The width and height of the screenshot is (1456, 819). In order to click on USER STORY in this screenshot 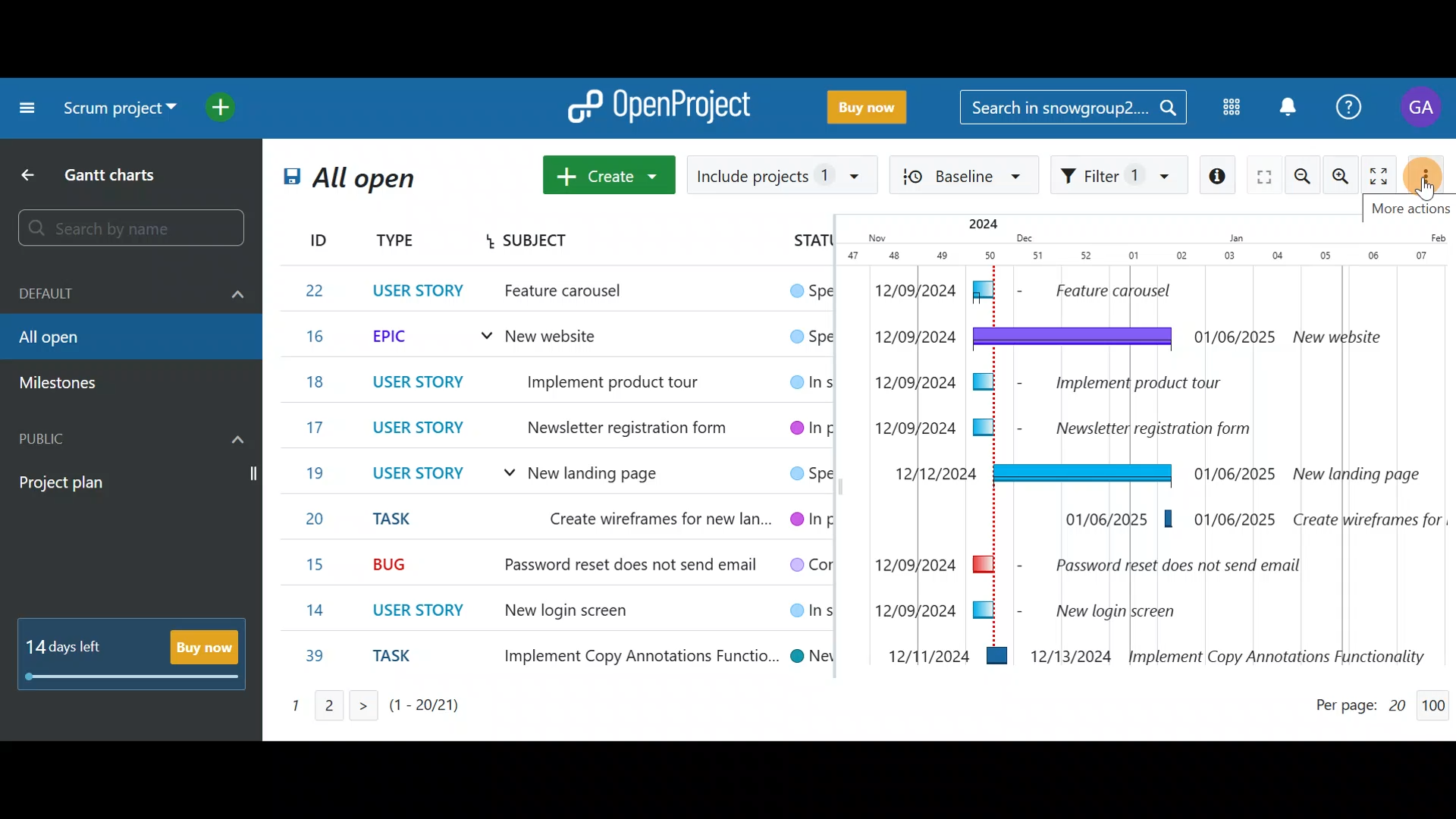, I will do `click(416, 381)`.